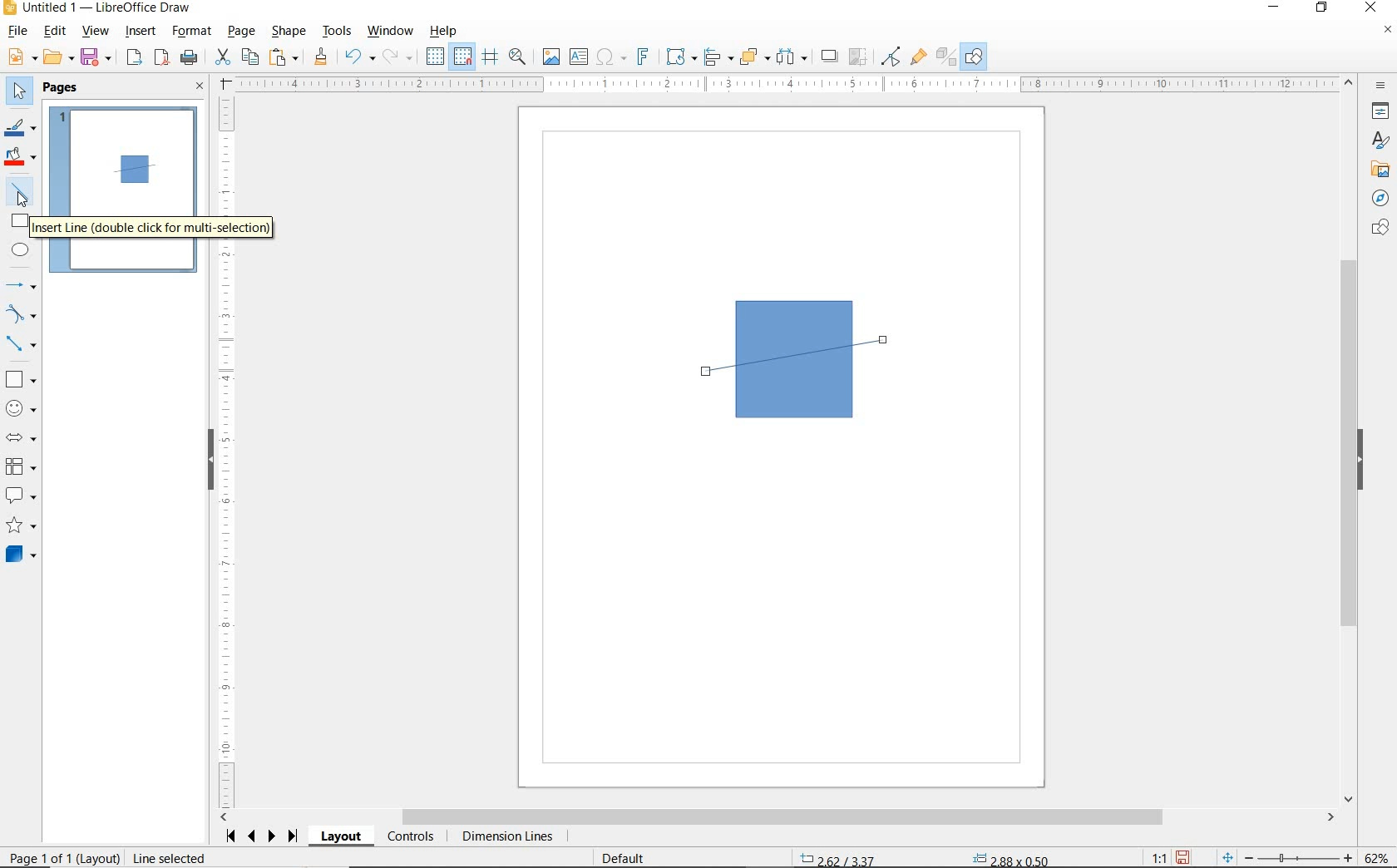 This screenshot has height=868, width=1397. I want to click on CALLOUT SHAPES, so click(22, 496).